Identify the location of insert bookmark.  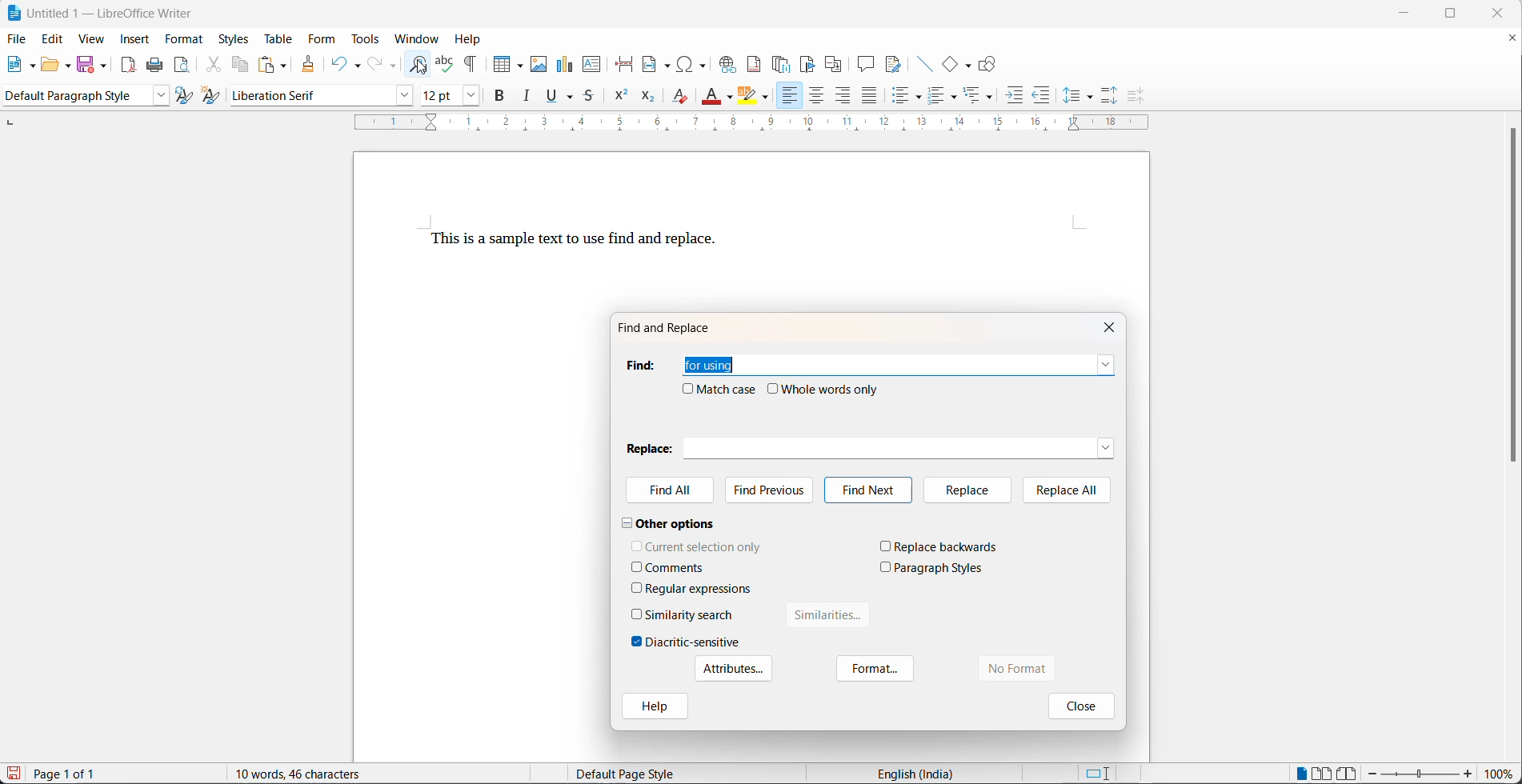
(811, 64).